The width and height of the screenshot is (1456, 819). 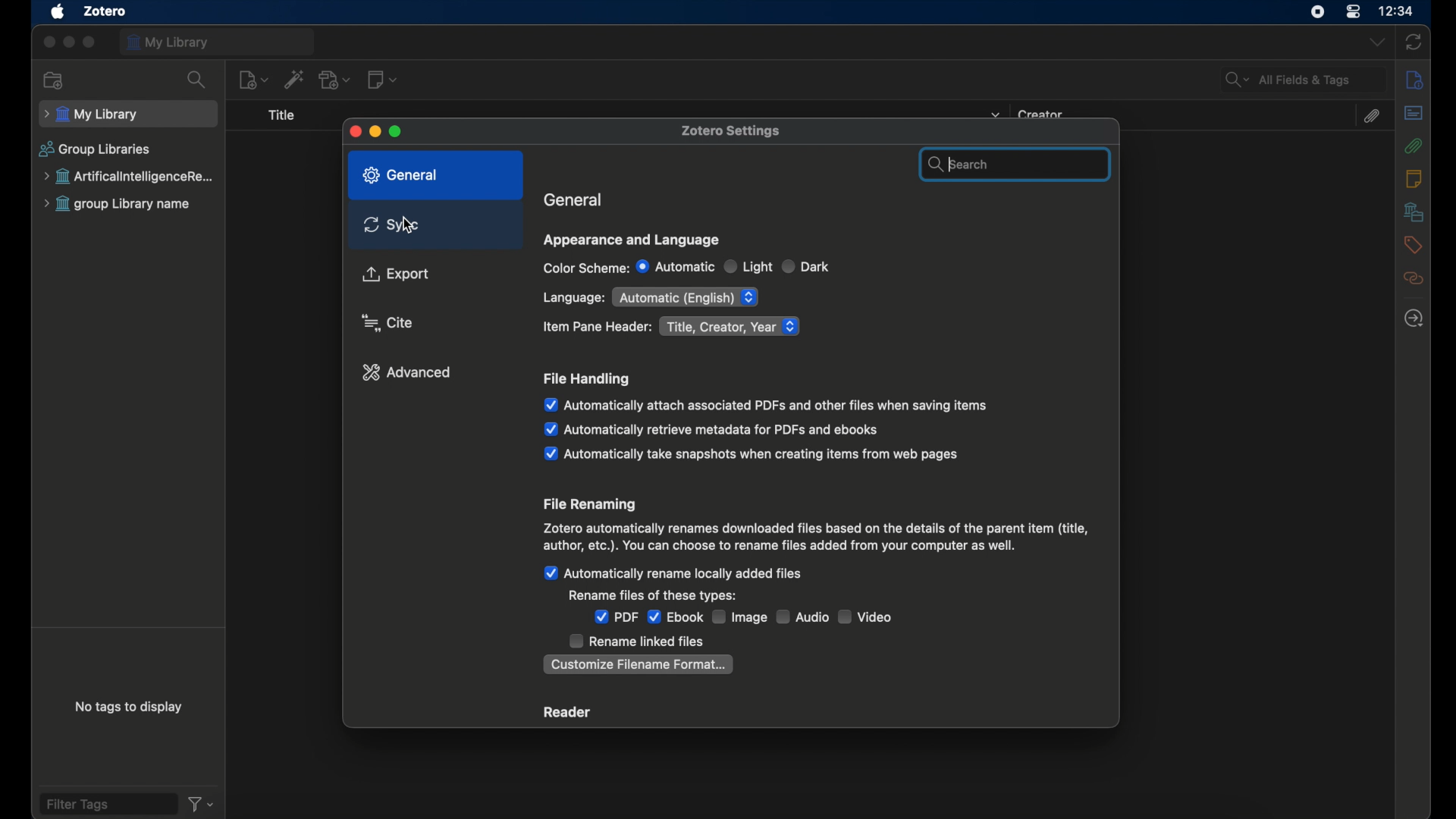 What do you see at coordinates (812, 537) in the screenshot?
I see `file renaming info` at bounding box center [812, 537].